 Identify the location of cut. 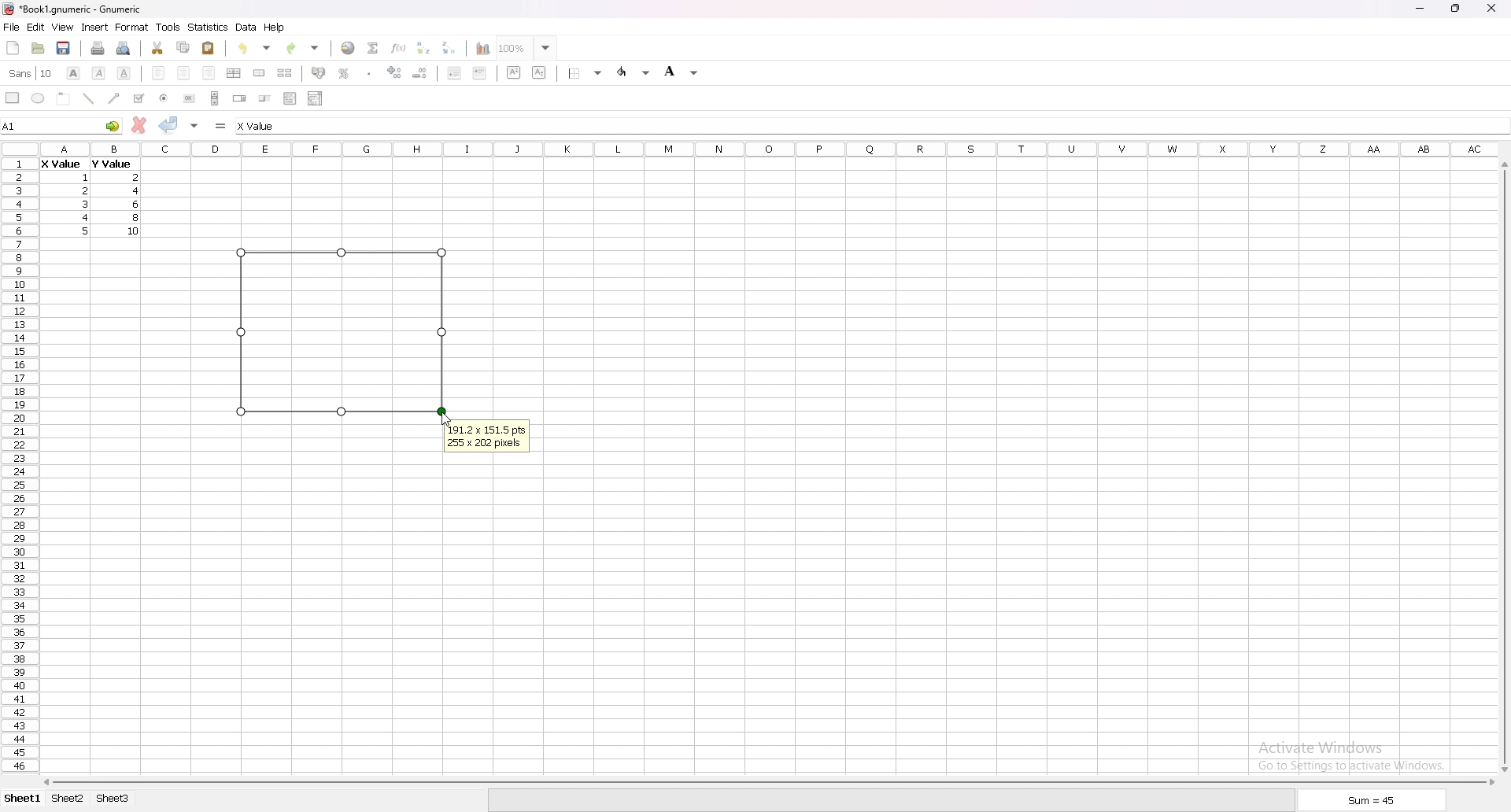
(158, 47).